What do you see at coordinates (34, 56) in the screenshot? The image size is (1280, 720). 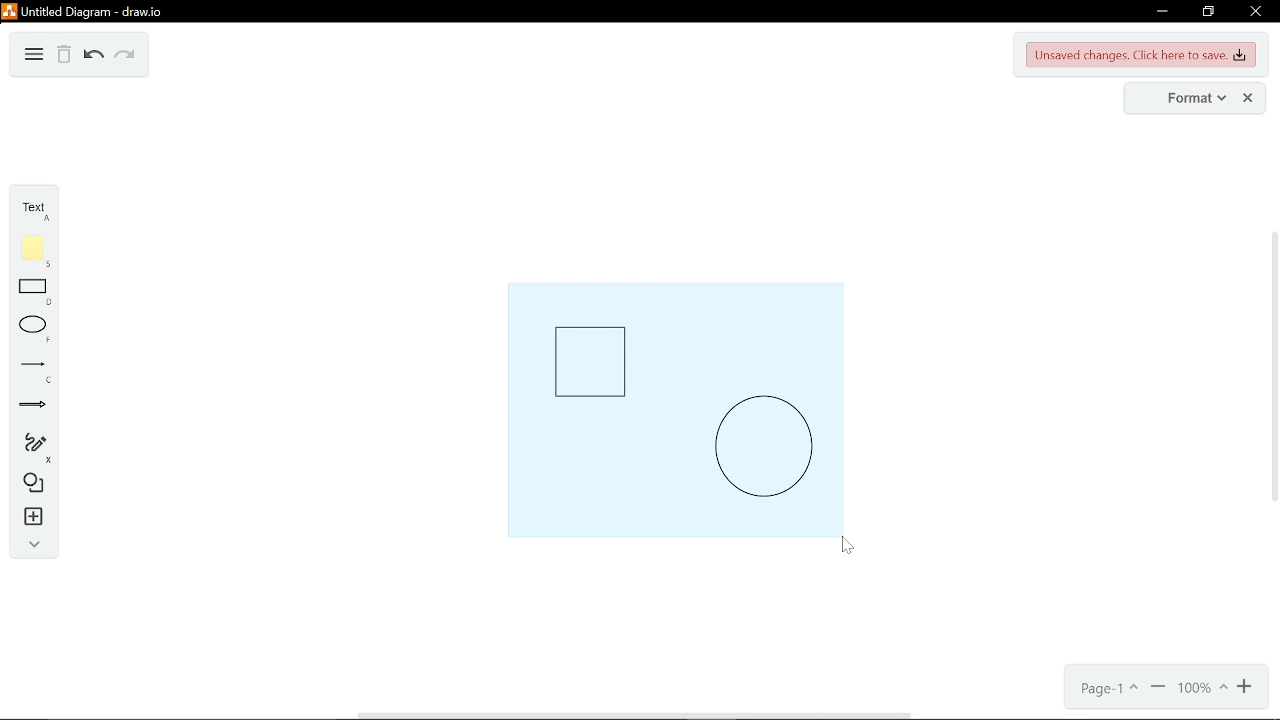 I see `diagram` at bounding box center [34, 56].